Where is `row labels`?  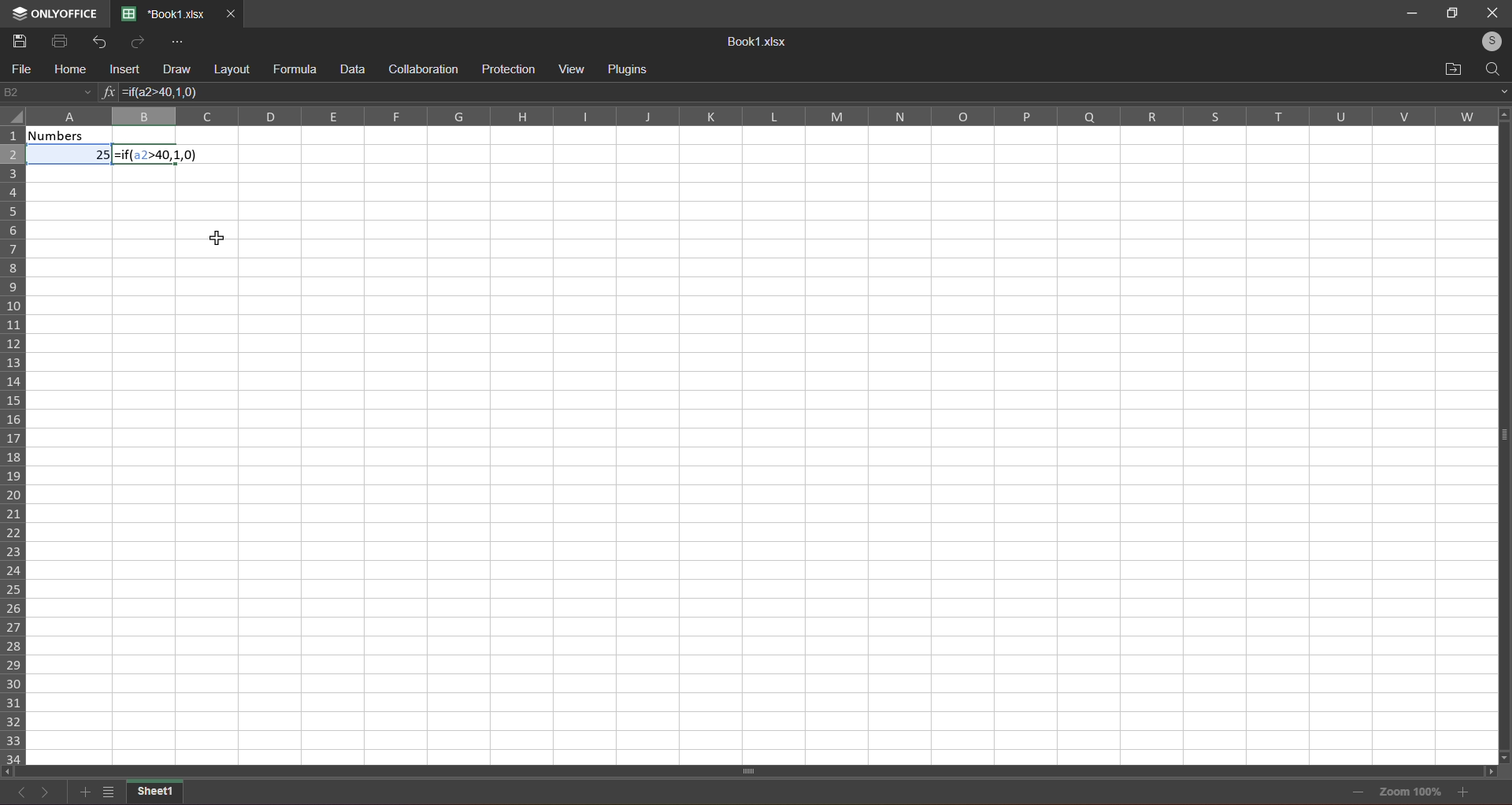 row labels is located at coordinates (14, 443).